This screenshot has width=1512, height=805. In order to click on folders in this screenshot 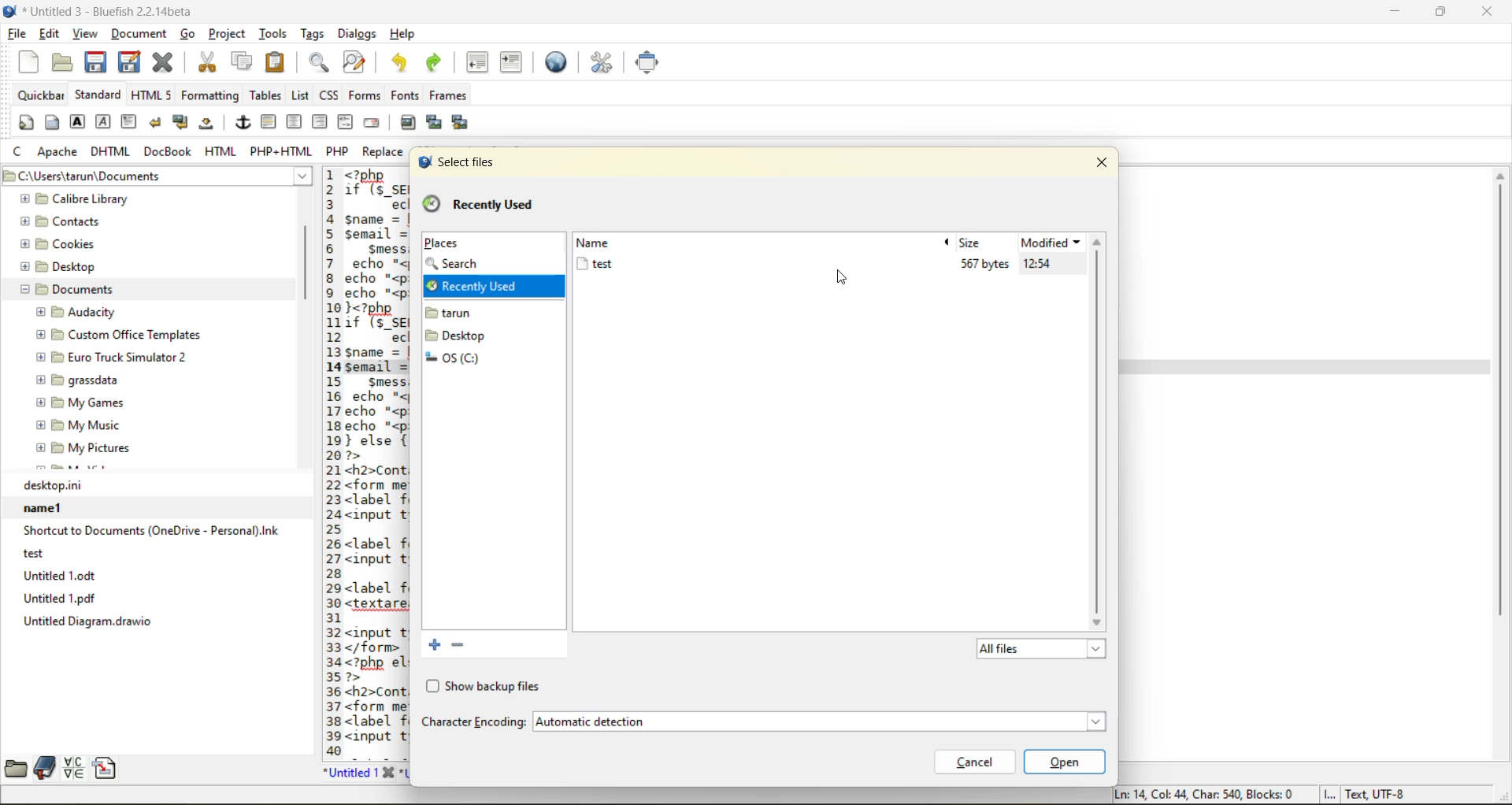, I will do `click(462, 347)`.